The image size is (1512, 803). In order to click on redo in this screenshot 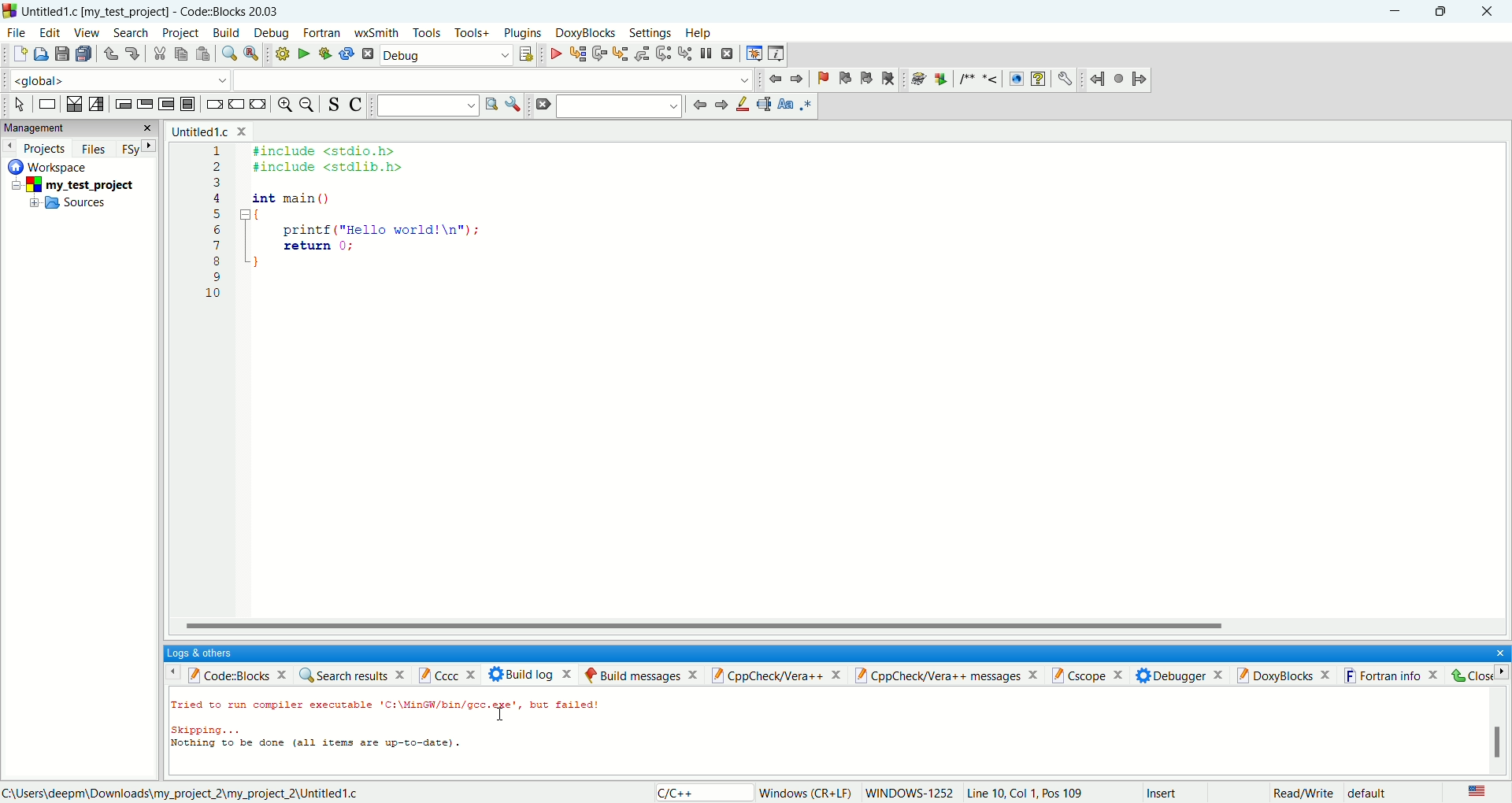, I will do `click(128, 52)`.